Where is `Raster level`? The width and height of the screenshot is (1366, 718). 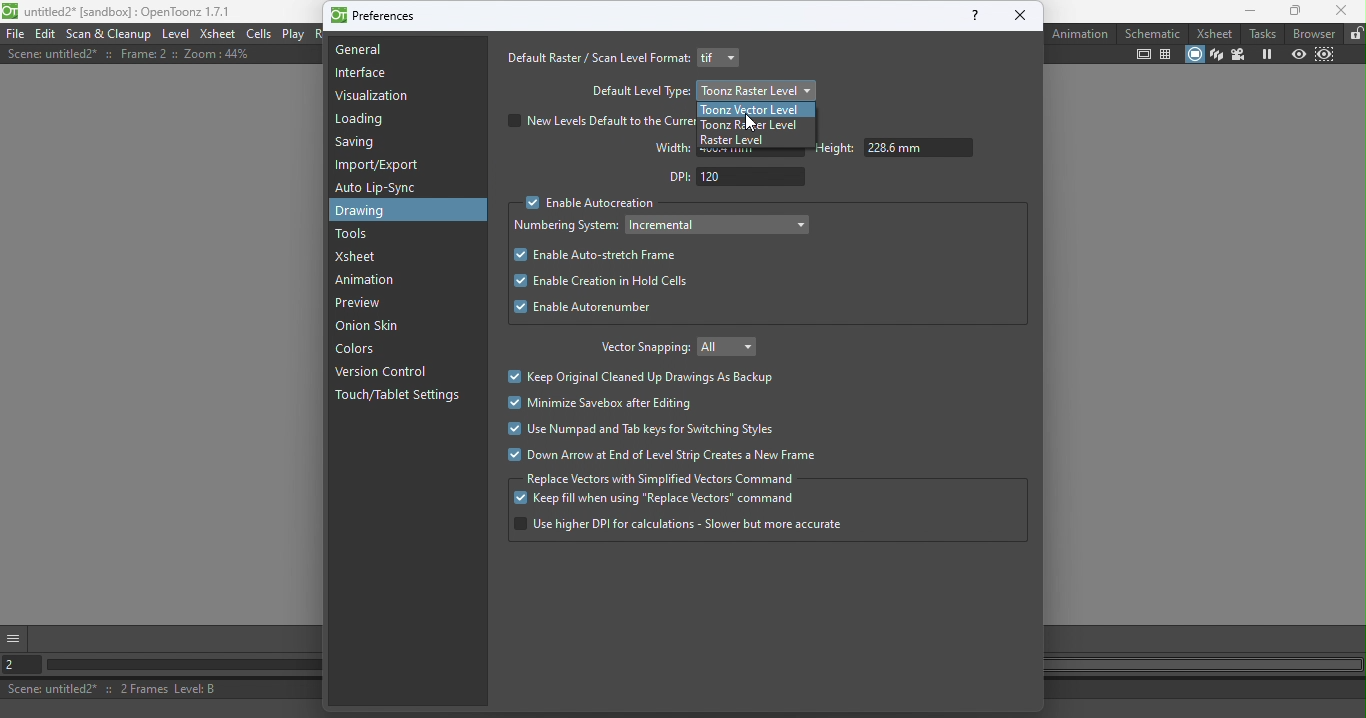
Raster level is located at coordinates (730, 139).